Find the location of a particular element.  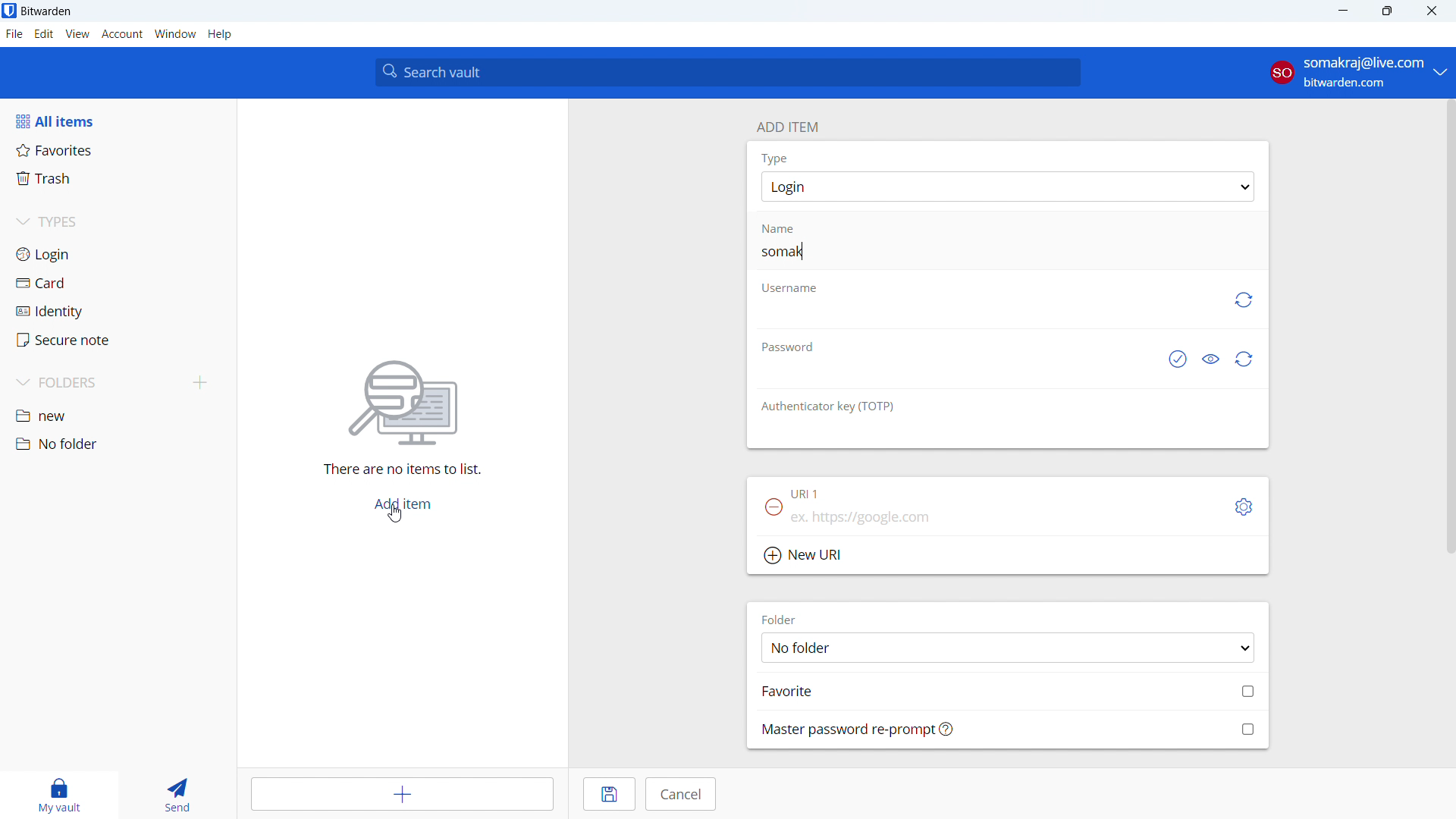

otp is located at coordinates (830, 406).